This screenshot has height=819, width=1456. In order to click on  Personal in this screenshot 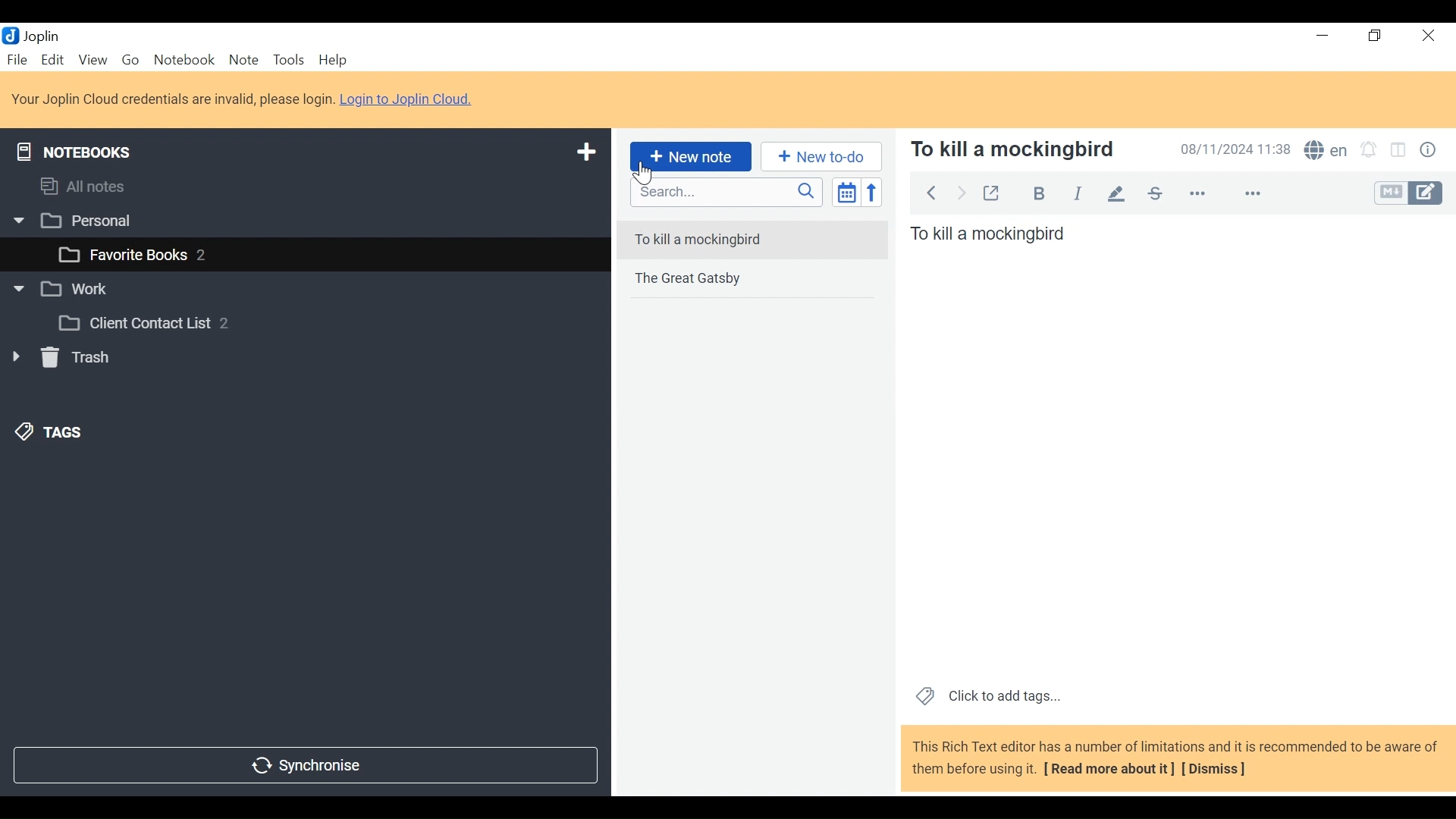, I will do `click(71, 221)`.